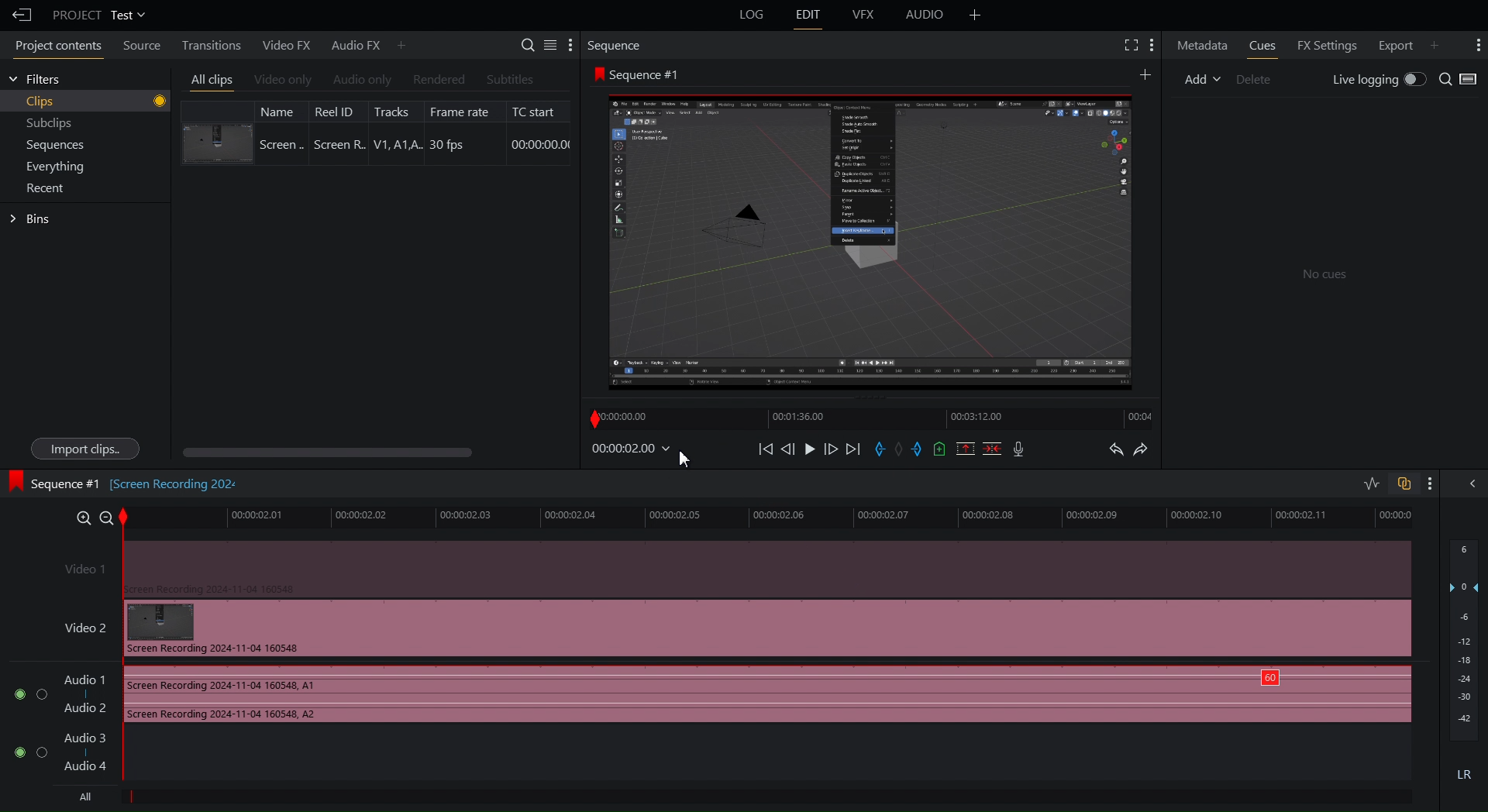 This screenshot has width=1488, height=812. What do you see at coordinates (1465, 664) in the screenshot?
I see `Audio Level` at bounding box center [1465, 664].